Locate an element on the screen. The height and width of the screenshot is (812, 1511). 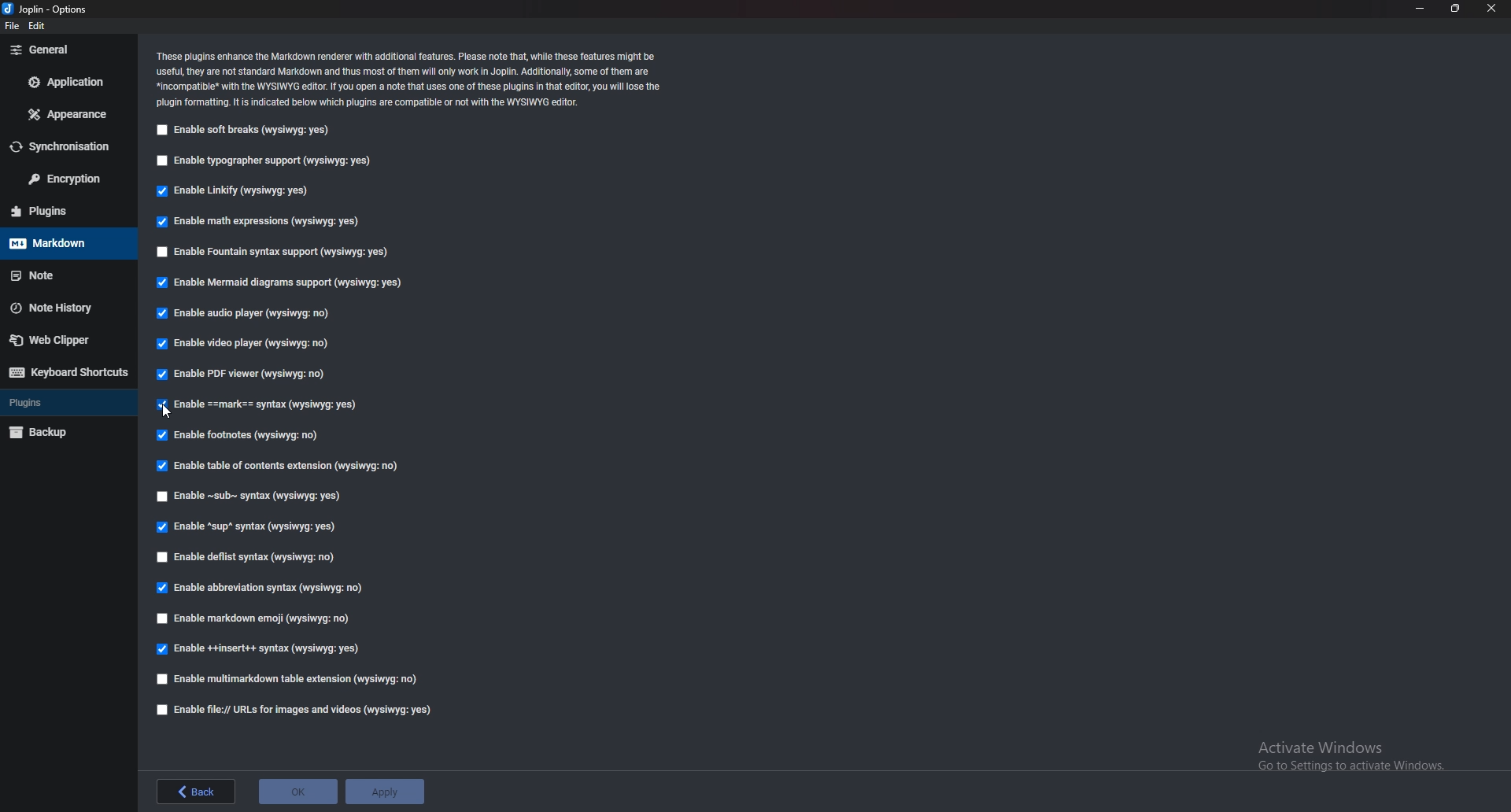
Enable footnotes is located at coordinates (241, 436).